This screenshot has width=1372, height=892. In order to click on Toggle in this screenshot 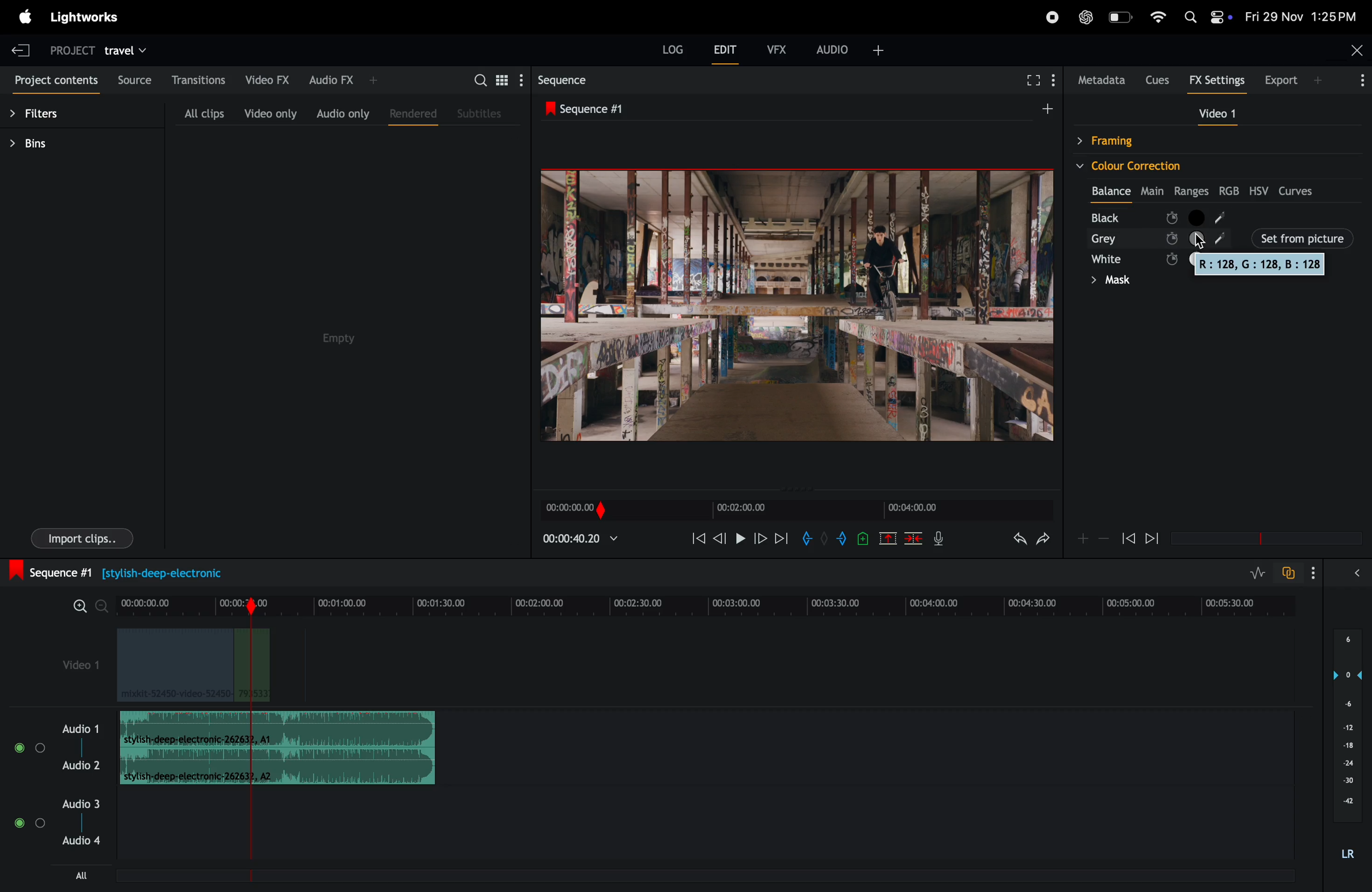, I will do `click(41, 824)`.